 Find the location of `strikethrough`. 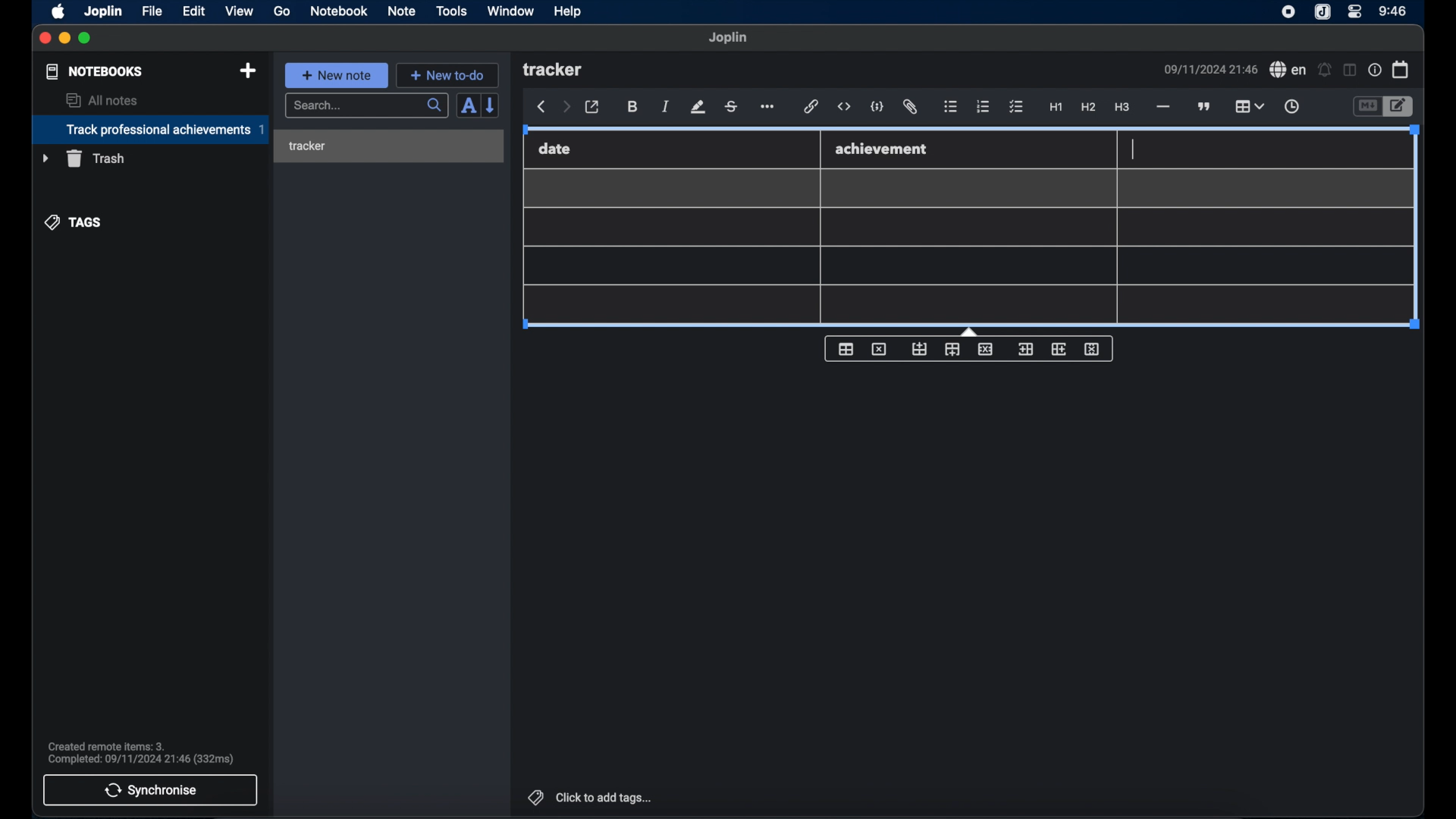

strikethrough is located at coordinates (732, 106).